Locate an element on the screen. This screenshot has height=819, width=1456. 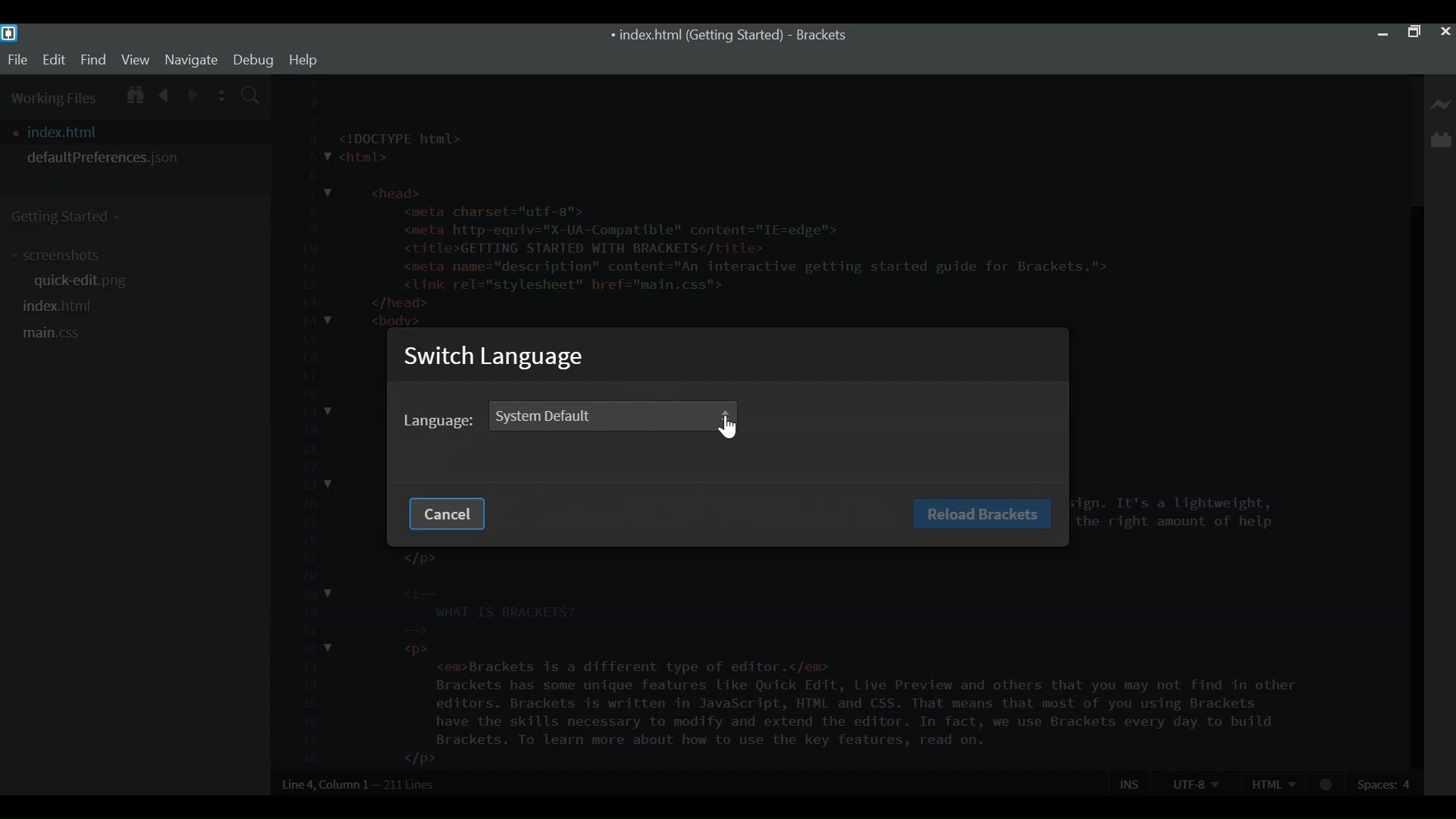
Close is located at coordinates (1445, 32).